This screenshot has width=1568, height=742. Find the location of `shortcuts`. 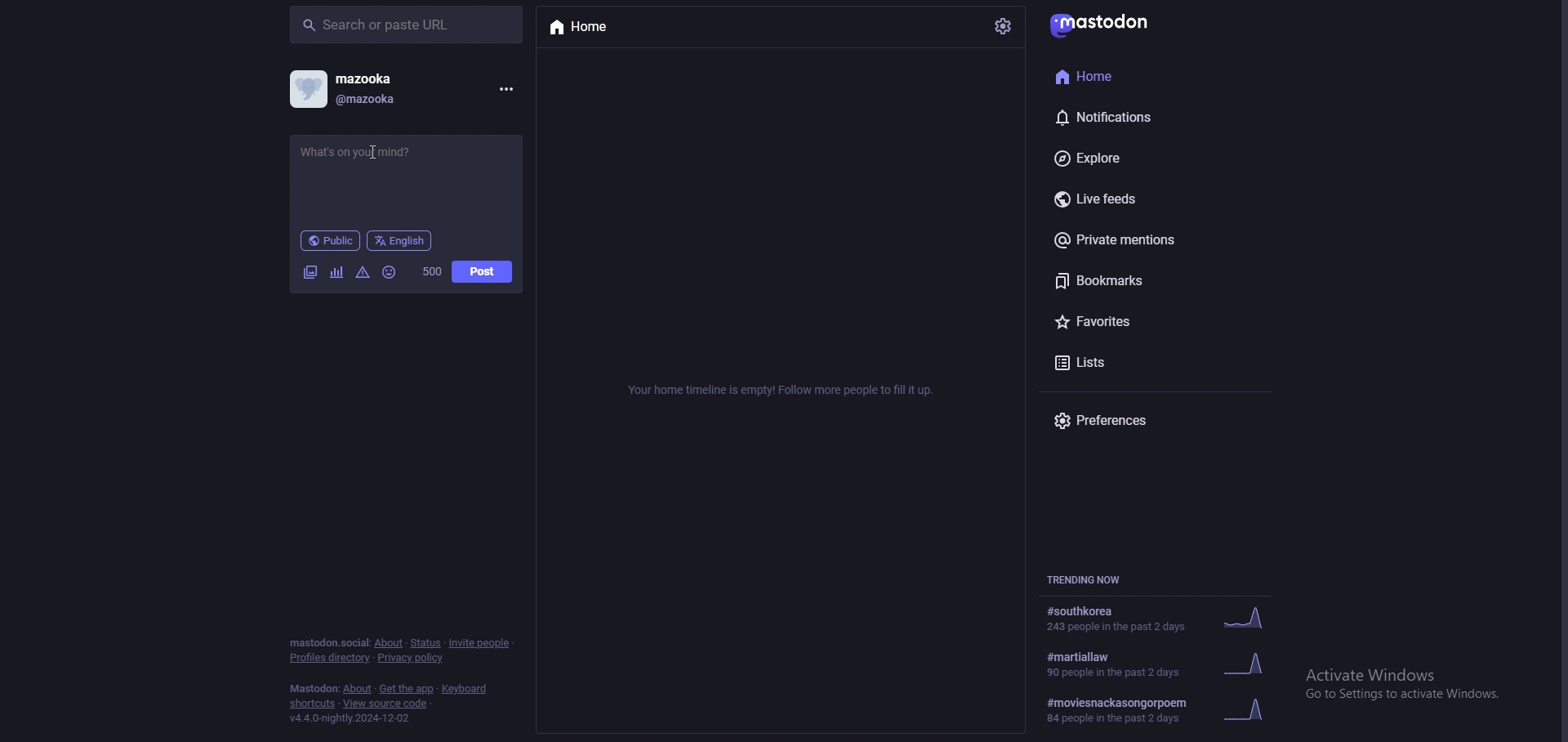

shortcuts is located at coordinates (313, 704).